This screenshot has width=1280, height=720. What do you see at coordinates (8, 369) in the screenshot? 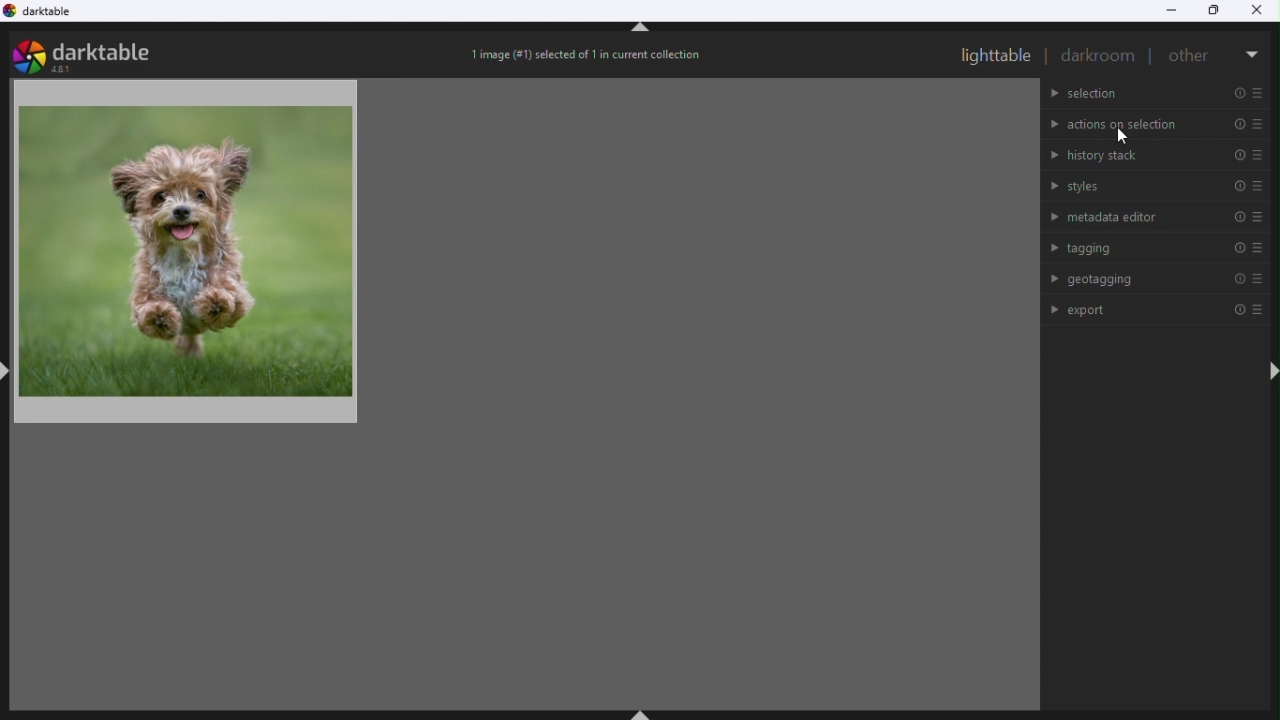
I see `shift+ctrl+l` at bounding box center [8, 369].